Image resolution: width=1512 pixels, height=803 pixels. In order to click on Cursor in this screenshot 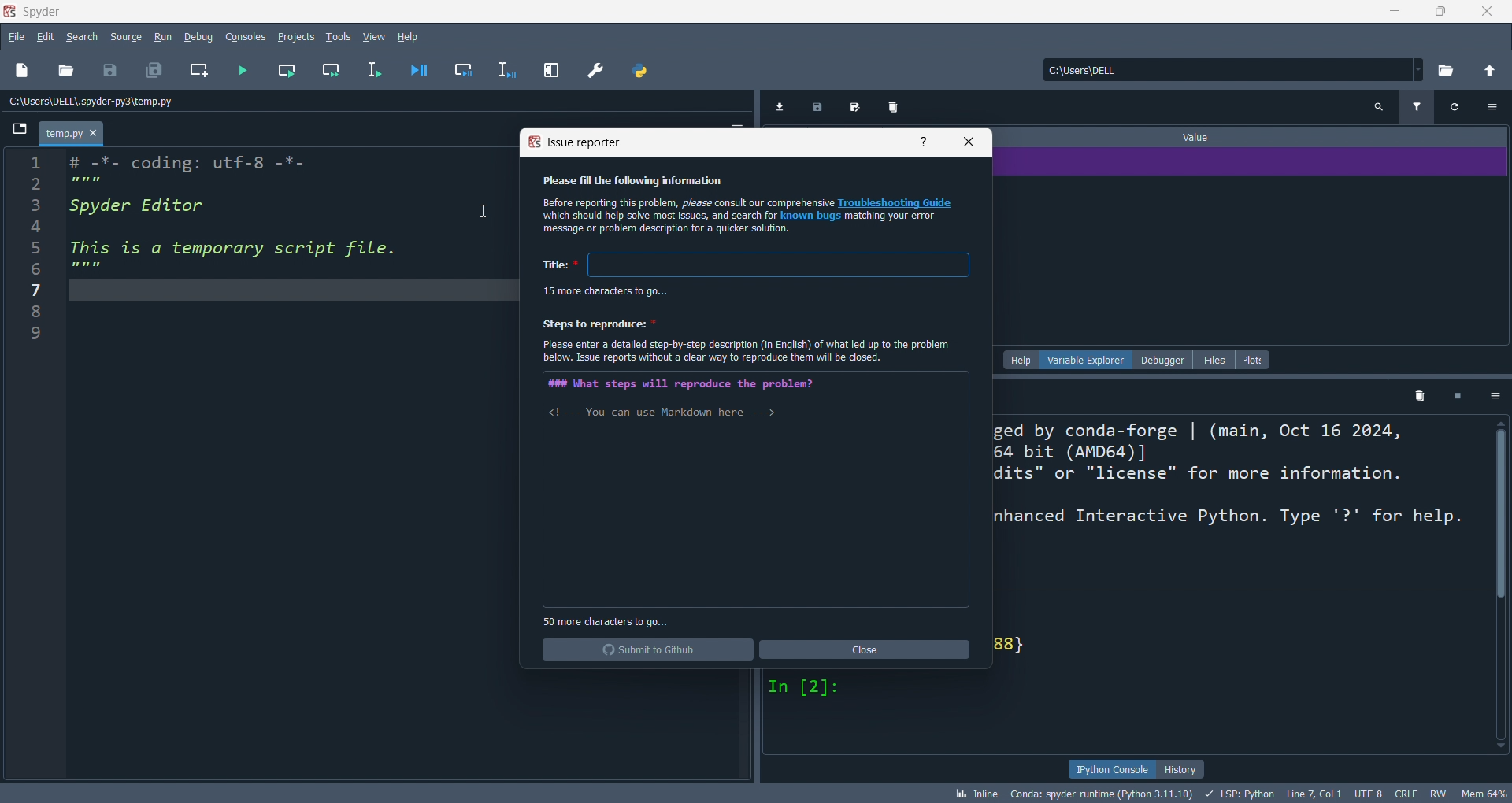, I will do `click(483, 213)`.